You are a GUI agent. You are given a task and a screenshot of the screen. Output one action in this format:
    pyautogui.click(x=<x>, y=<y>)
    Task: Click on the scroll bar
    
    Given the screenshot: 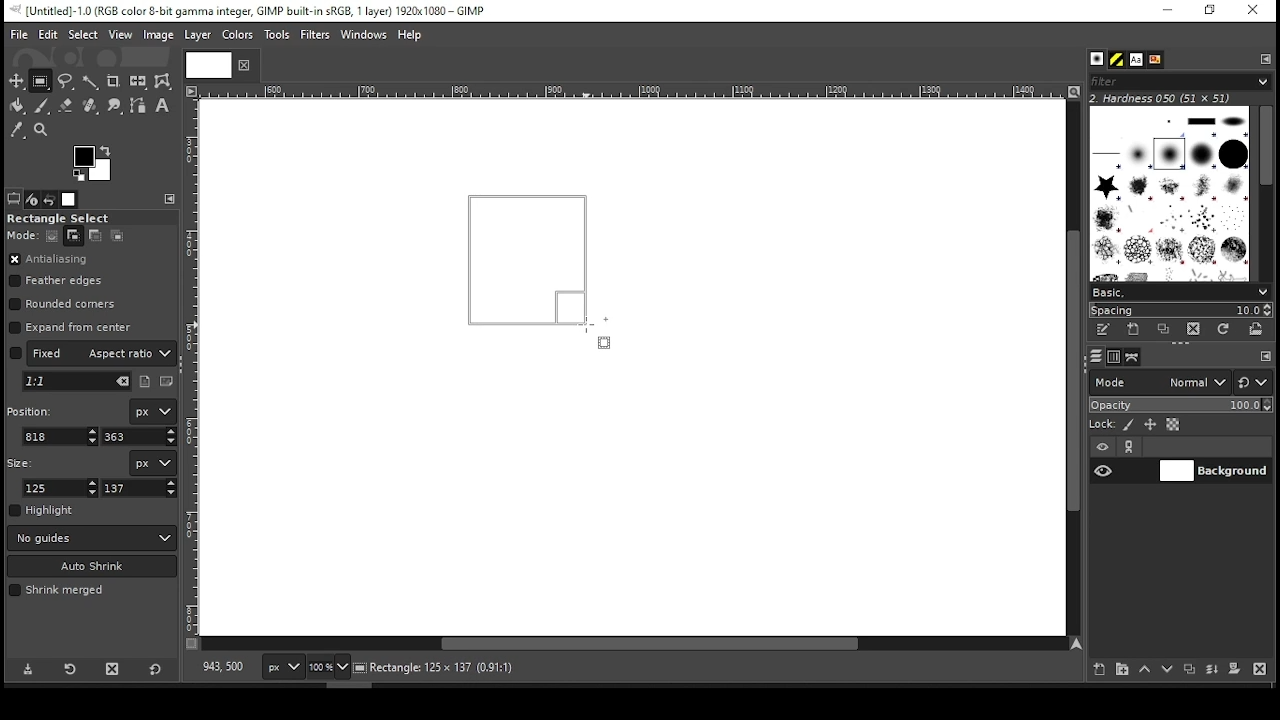 What is the action you would take?
    pyautogui.click(x=634, y=645)
    